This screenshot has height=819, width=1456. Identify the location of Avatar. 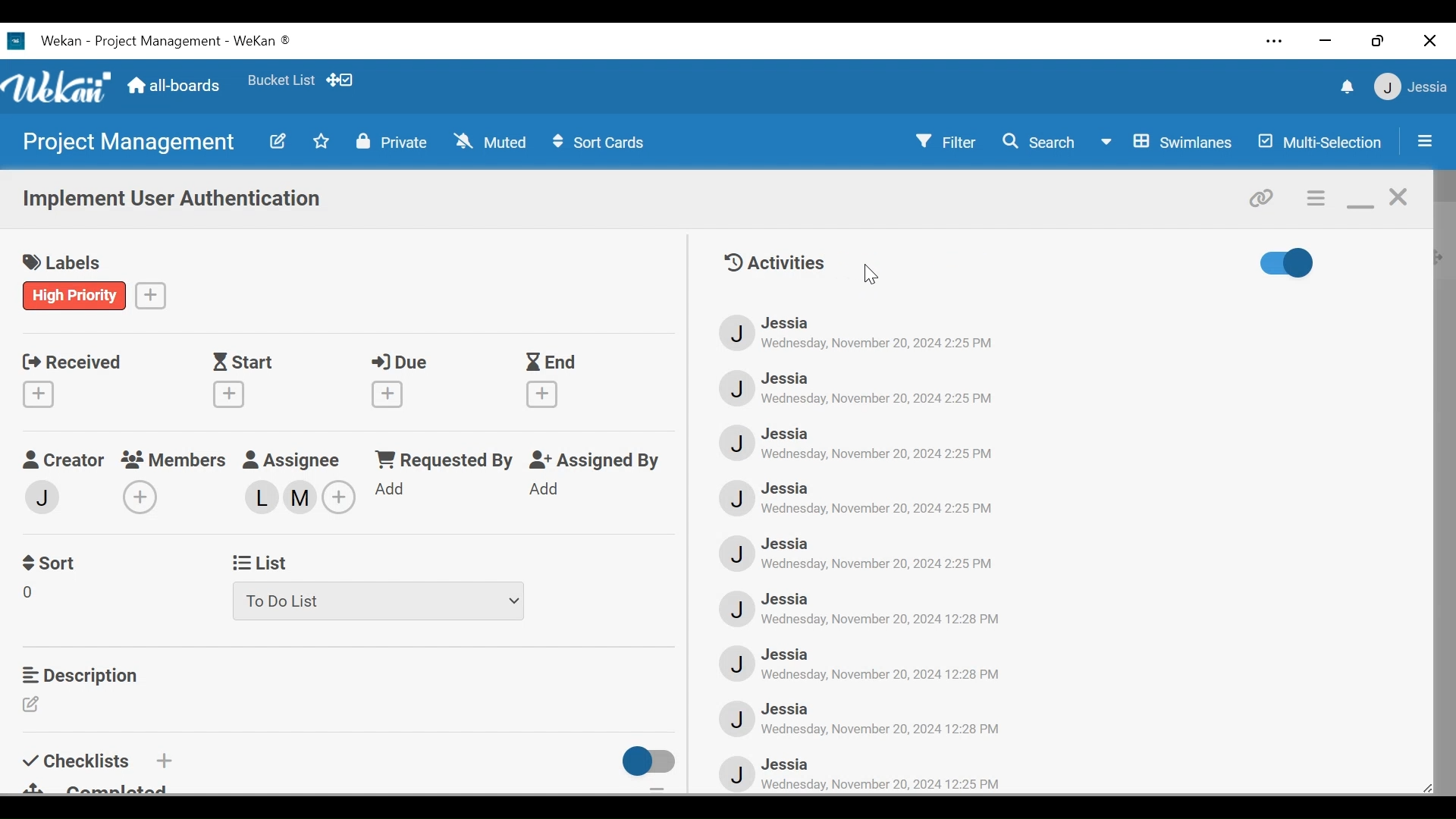
(736, 495).